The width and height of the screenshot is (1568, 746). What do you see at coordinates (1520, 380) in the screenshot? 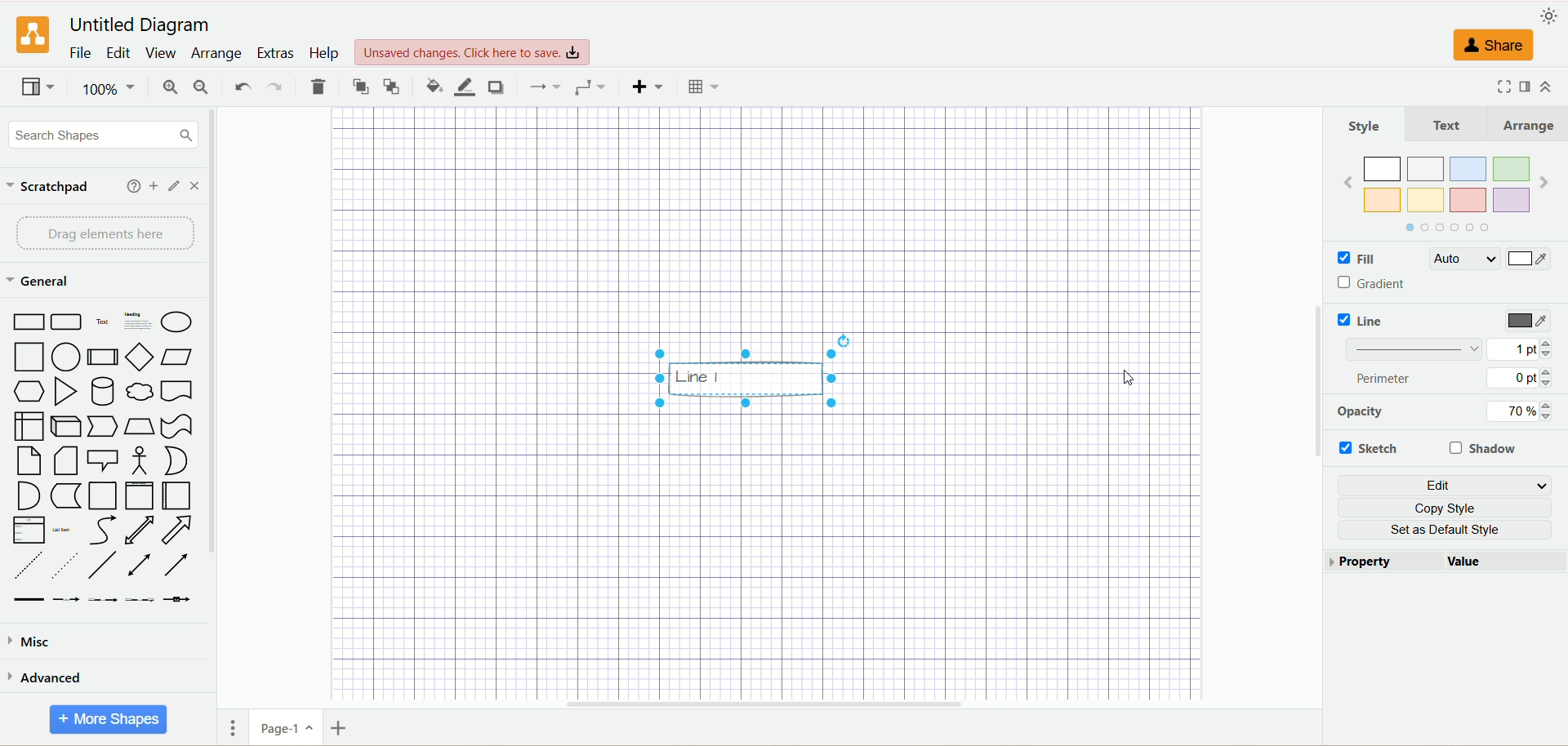
I see `0 pt` at bounding box center [1520, 380].